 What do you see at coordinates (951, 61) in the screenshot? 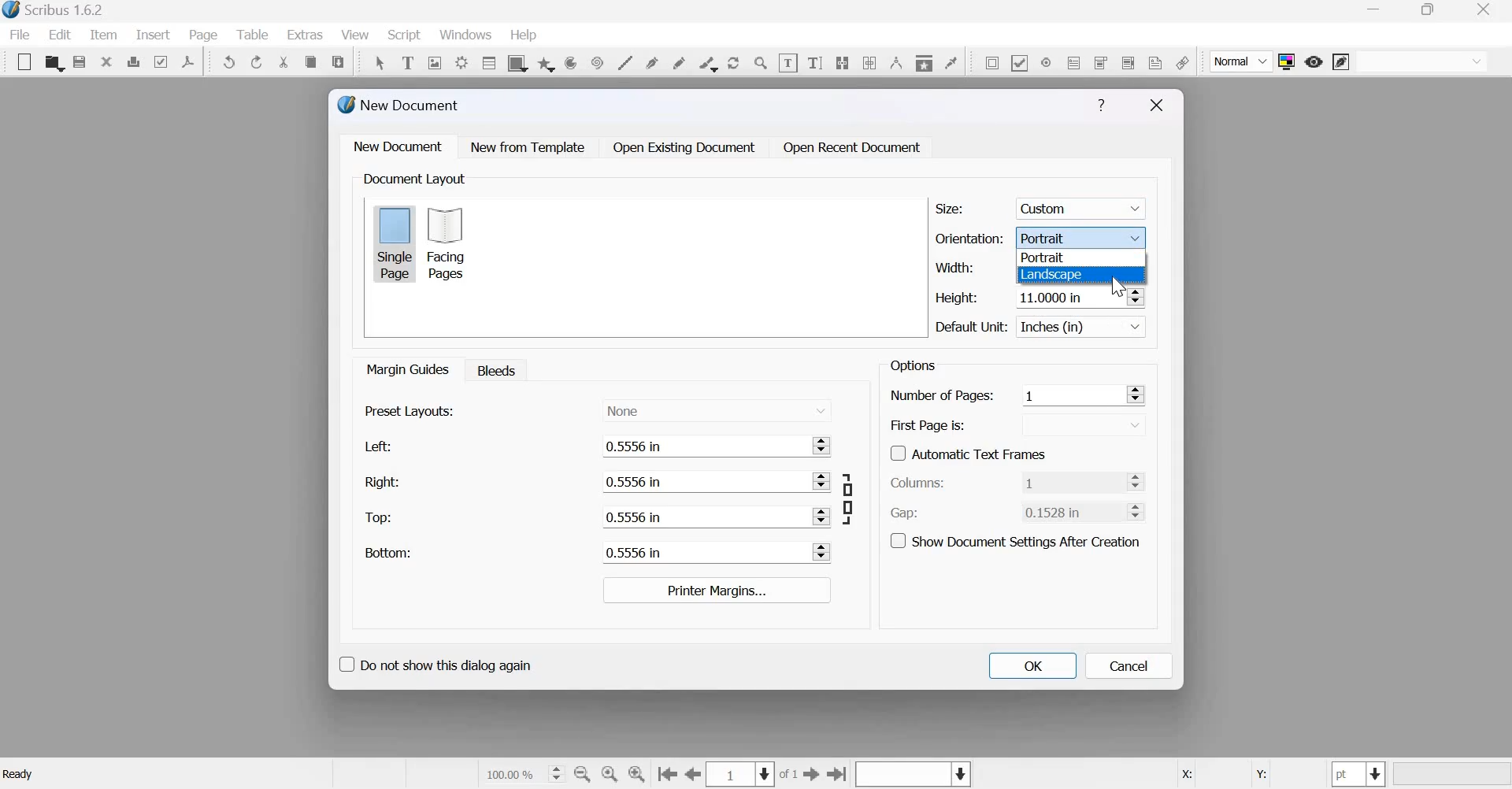
I see `Eye dropper` at bounding box center [951, 61].